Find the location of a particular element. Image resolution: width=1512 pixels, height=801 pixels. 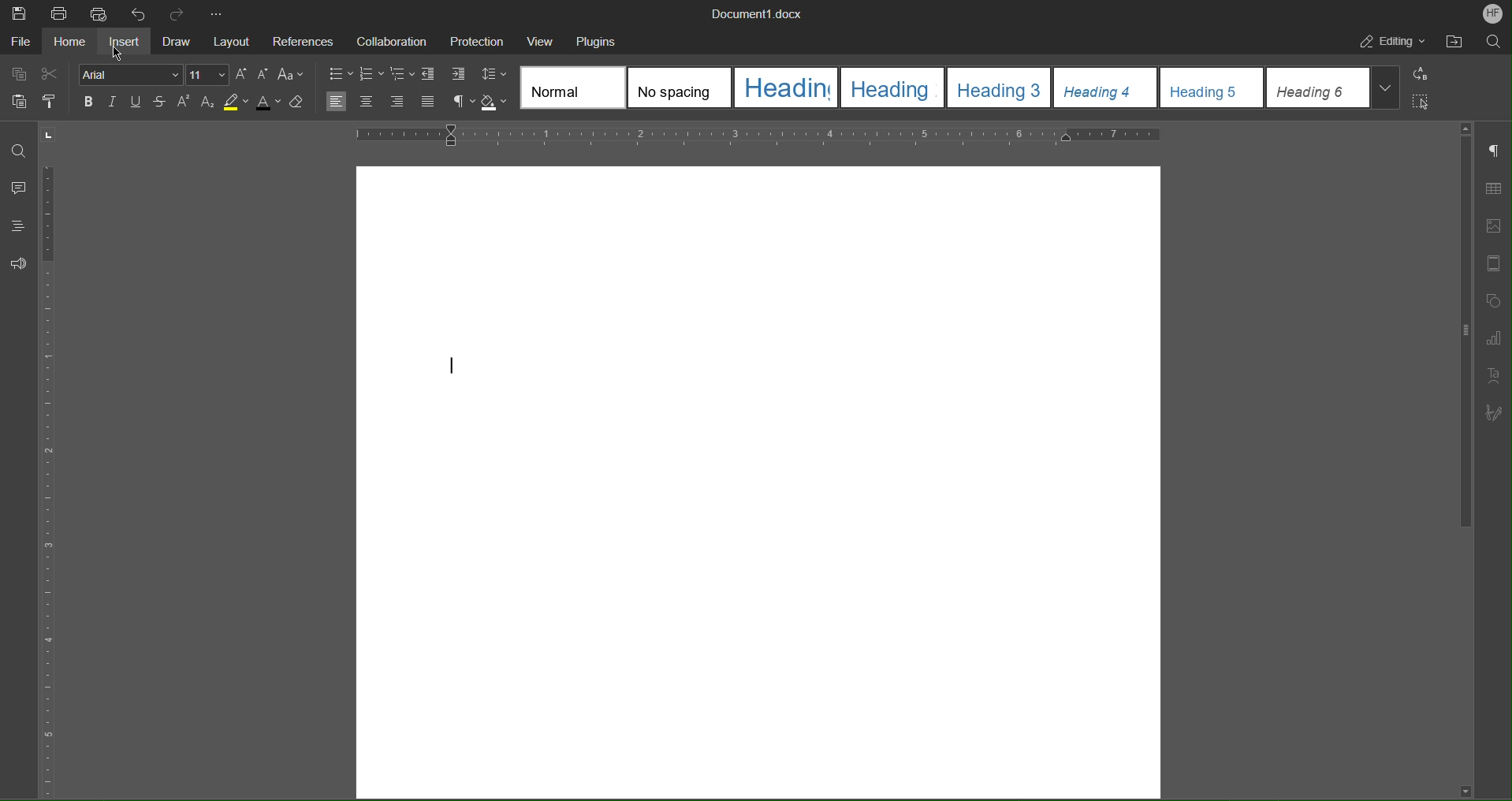

Non-Printing Characters is located at coordinates (462, 102).